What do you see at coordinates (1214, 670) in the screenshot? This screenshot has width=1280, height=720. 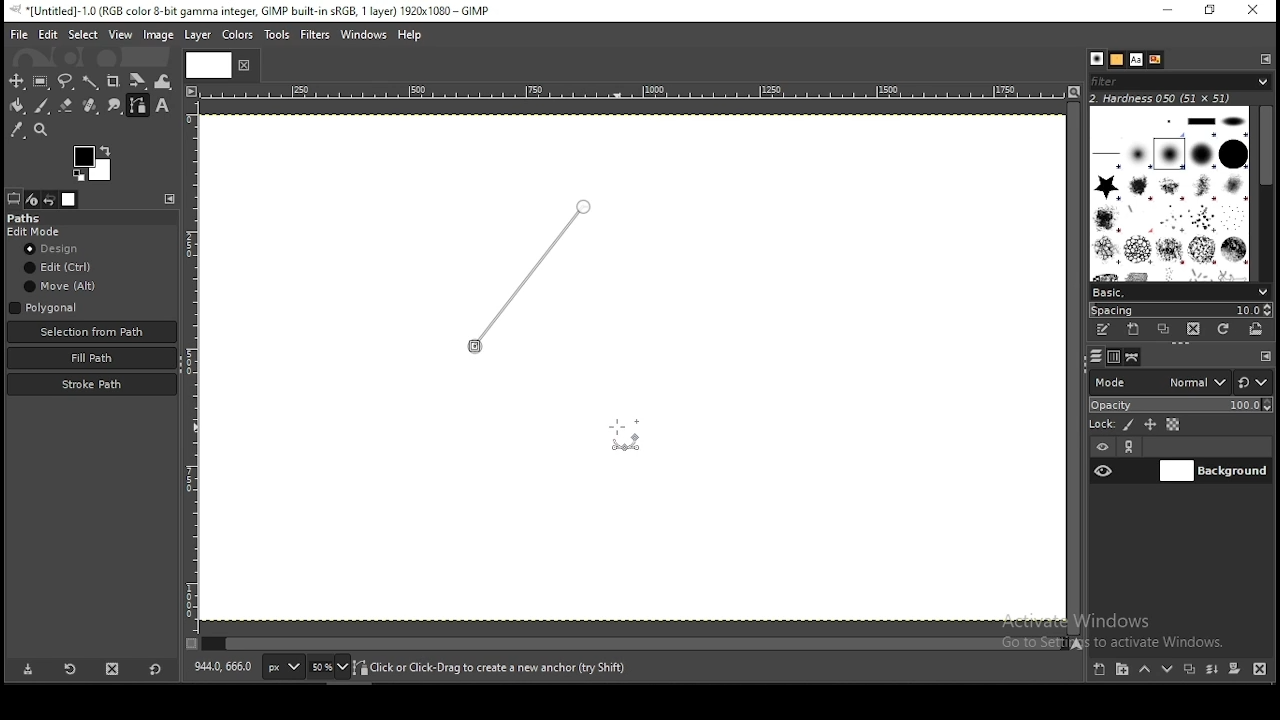 I see `merge layer` at bounding box center [1214, 670].